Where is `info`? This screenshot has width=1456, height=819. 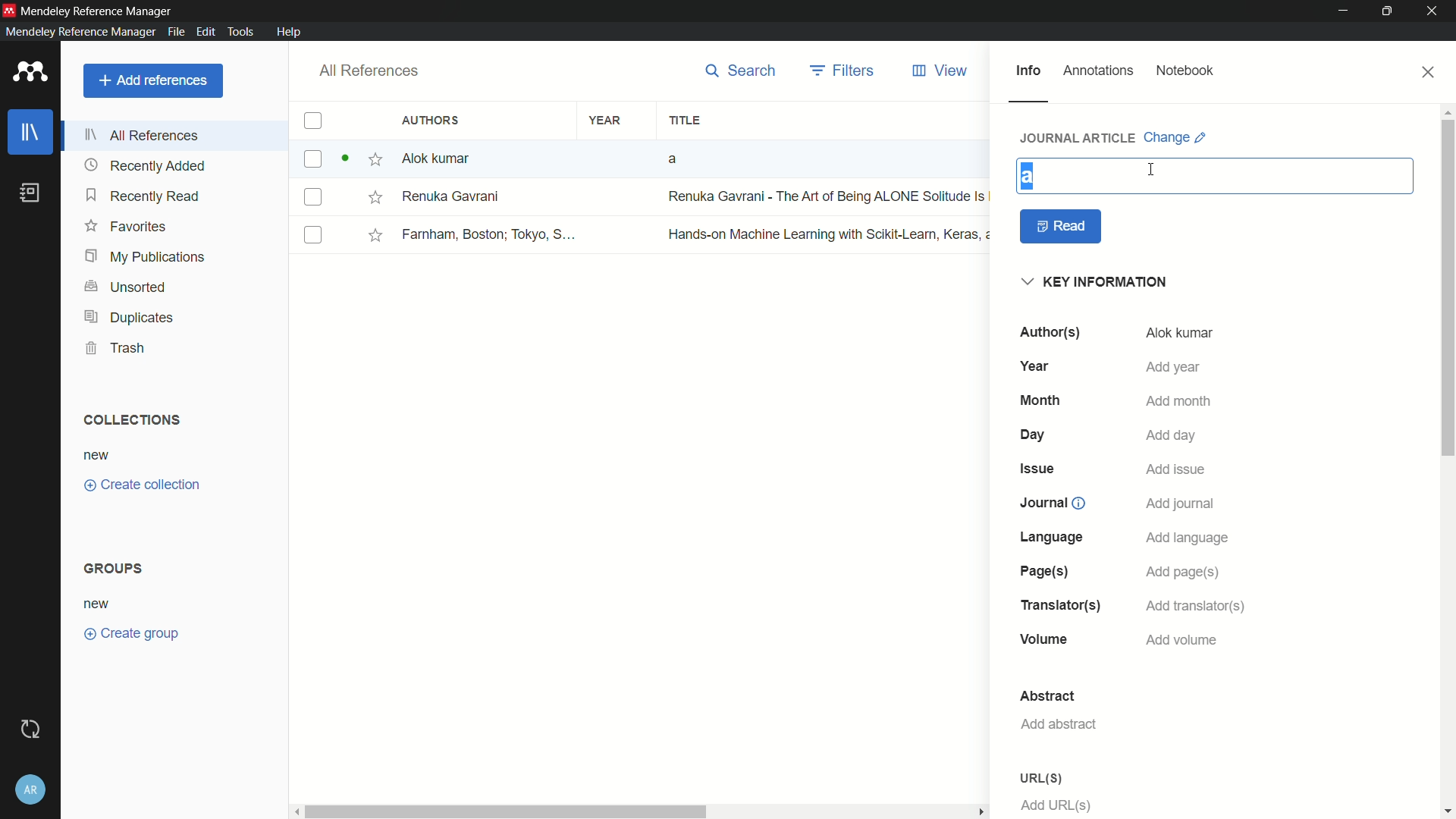 info is located at coordinates (1028, 71).